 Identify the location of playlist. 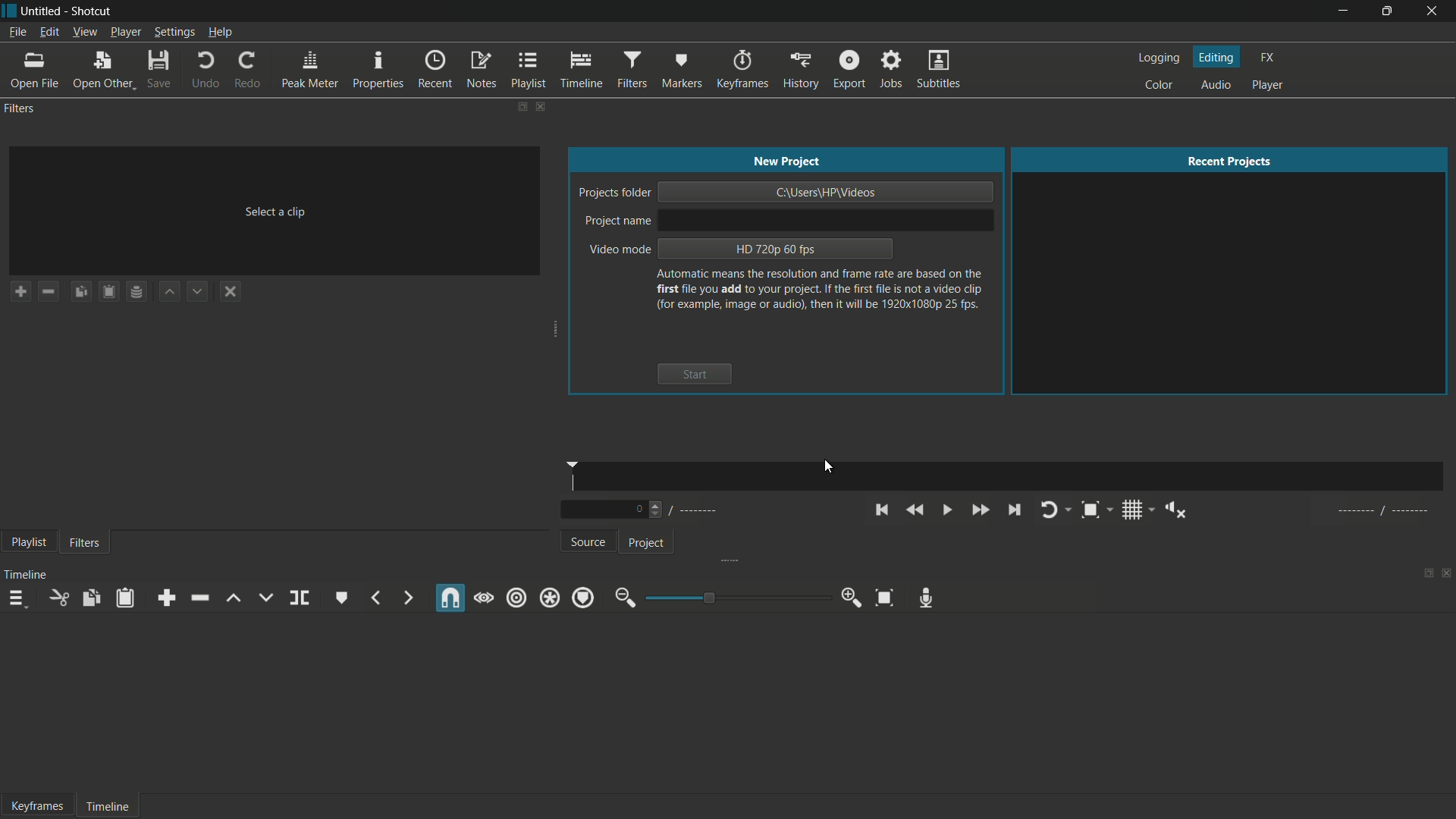
(529, 71).